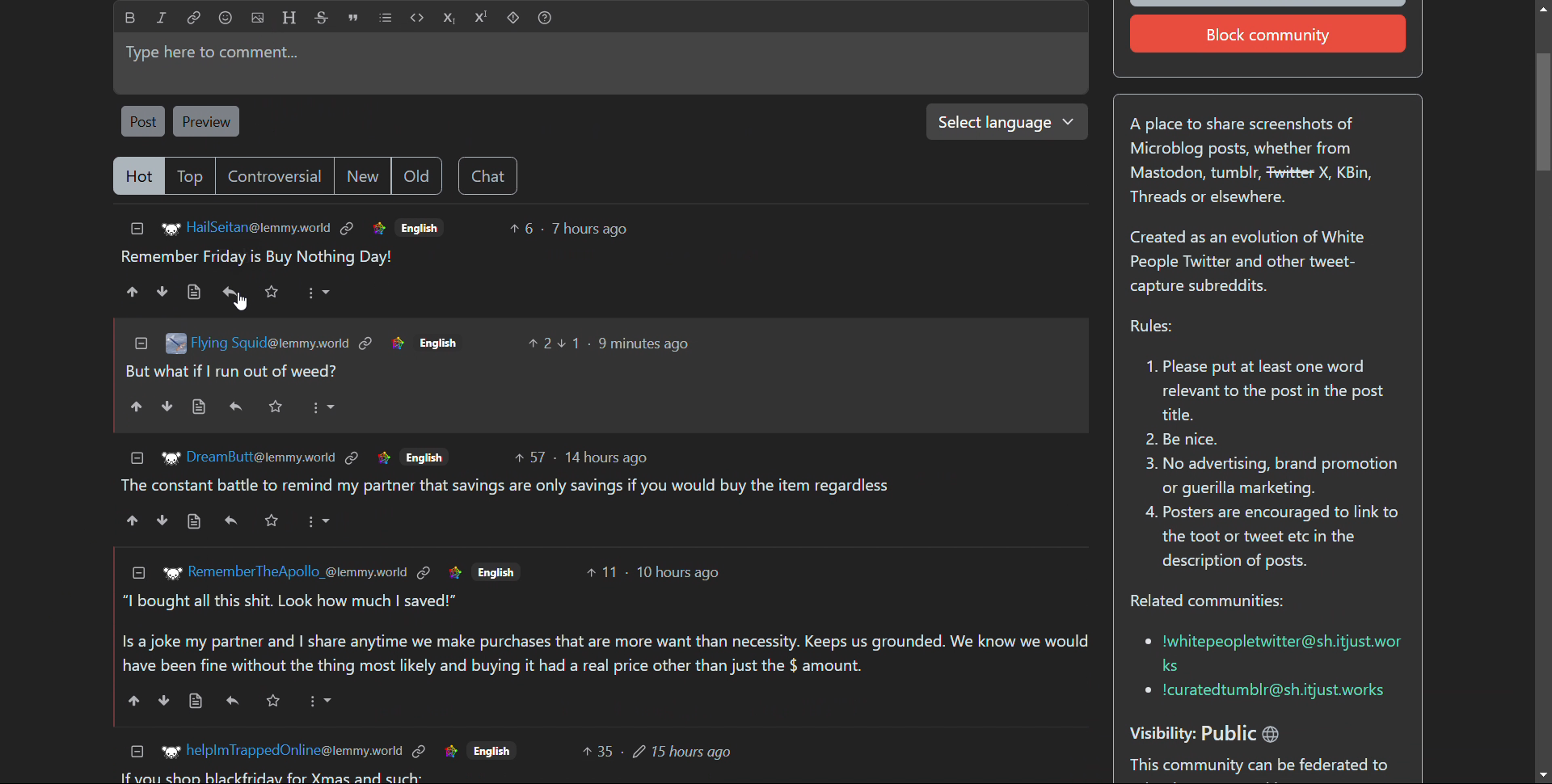 The width and height of the screenshot is (1552, 784). I want to click on collapse, so click(137, 229).